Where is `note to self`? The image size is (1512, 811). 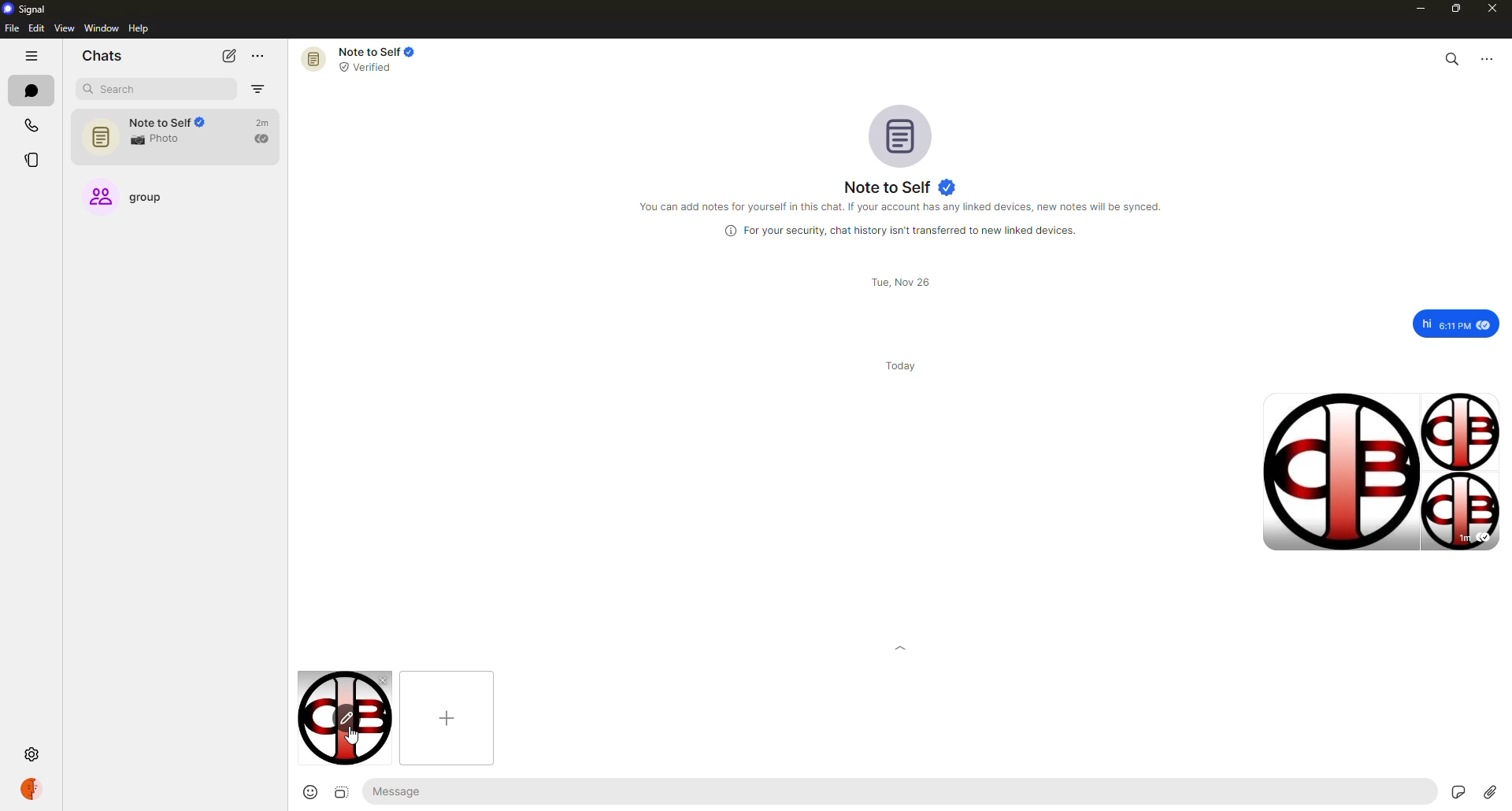 note to self is located at coordinates (899, 187).